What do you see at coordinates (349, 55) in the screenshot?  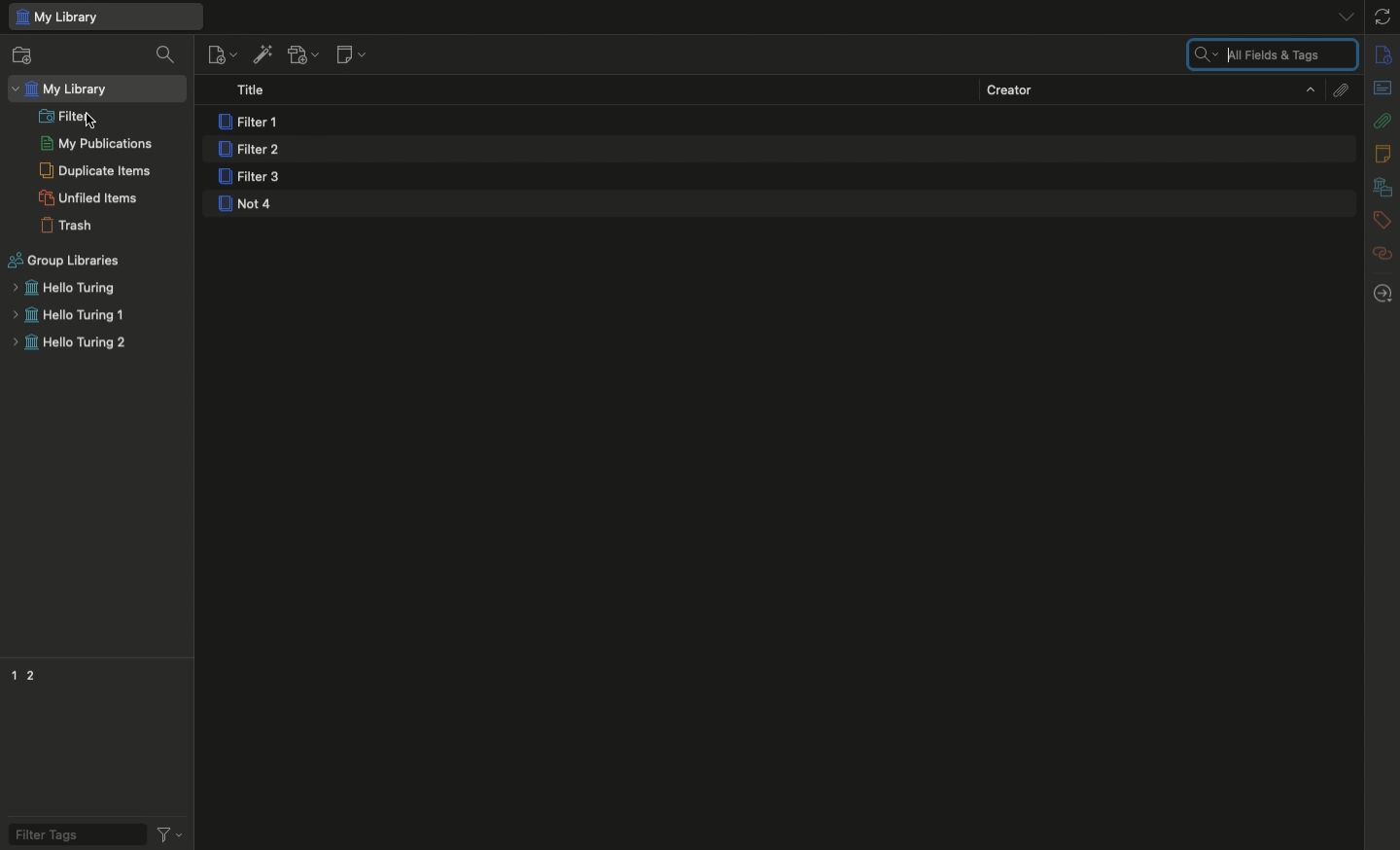 I see `New note` at bounding box center [349, 55].